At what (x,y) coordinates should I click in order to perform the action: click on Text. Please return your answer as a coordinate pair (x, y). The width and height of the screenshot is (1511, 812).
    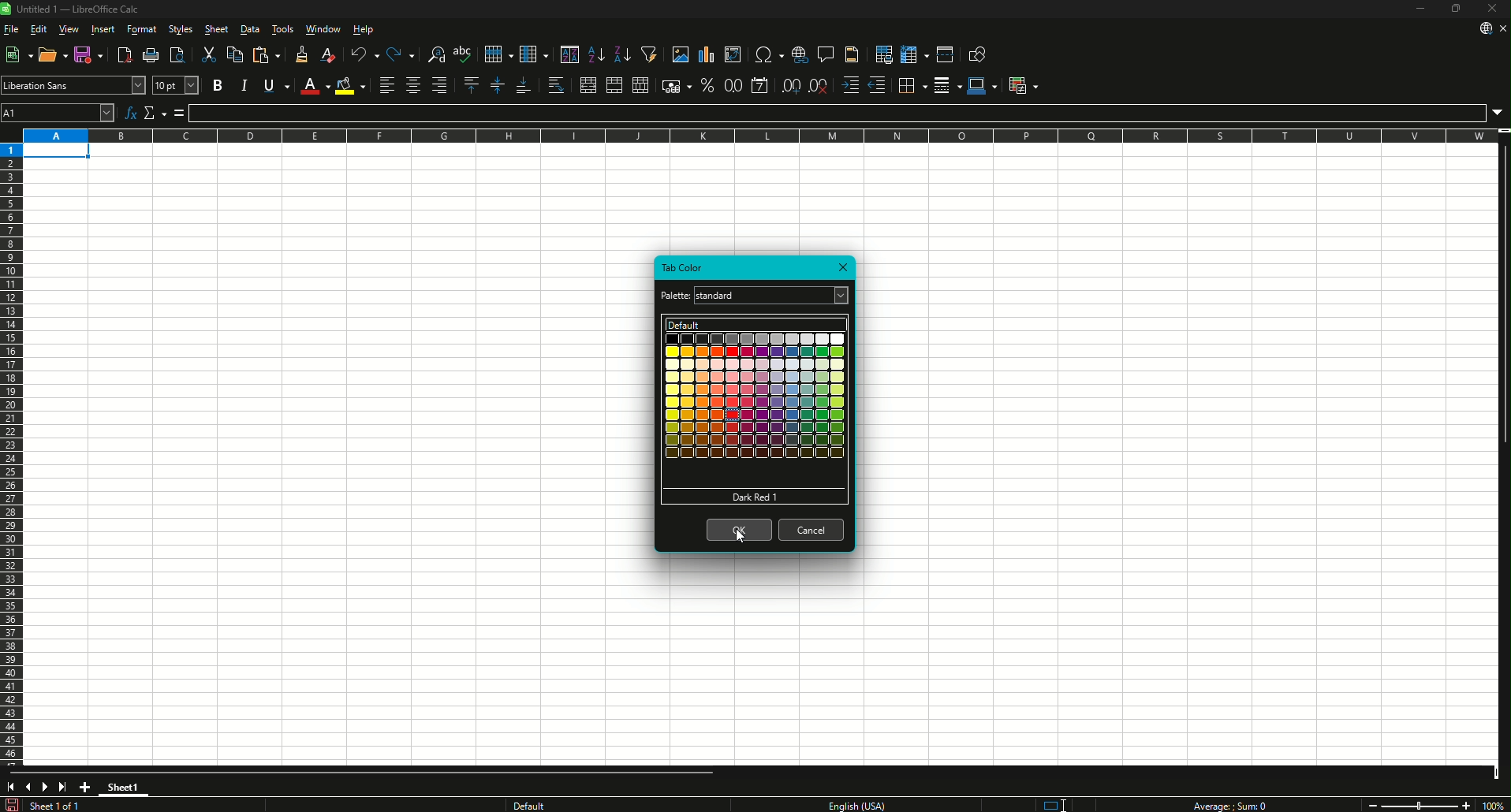
    Looking at the image, I should click on (855, 805).